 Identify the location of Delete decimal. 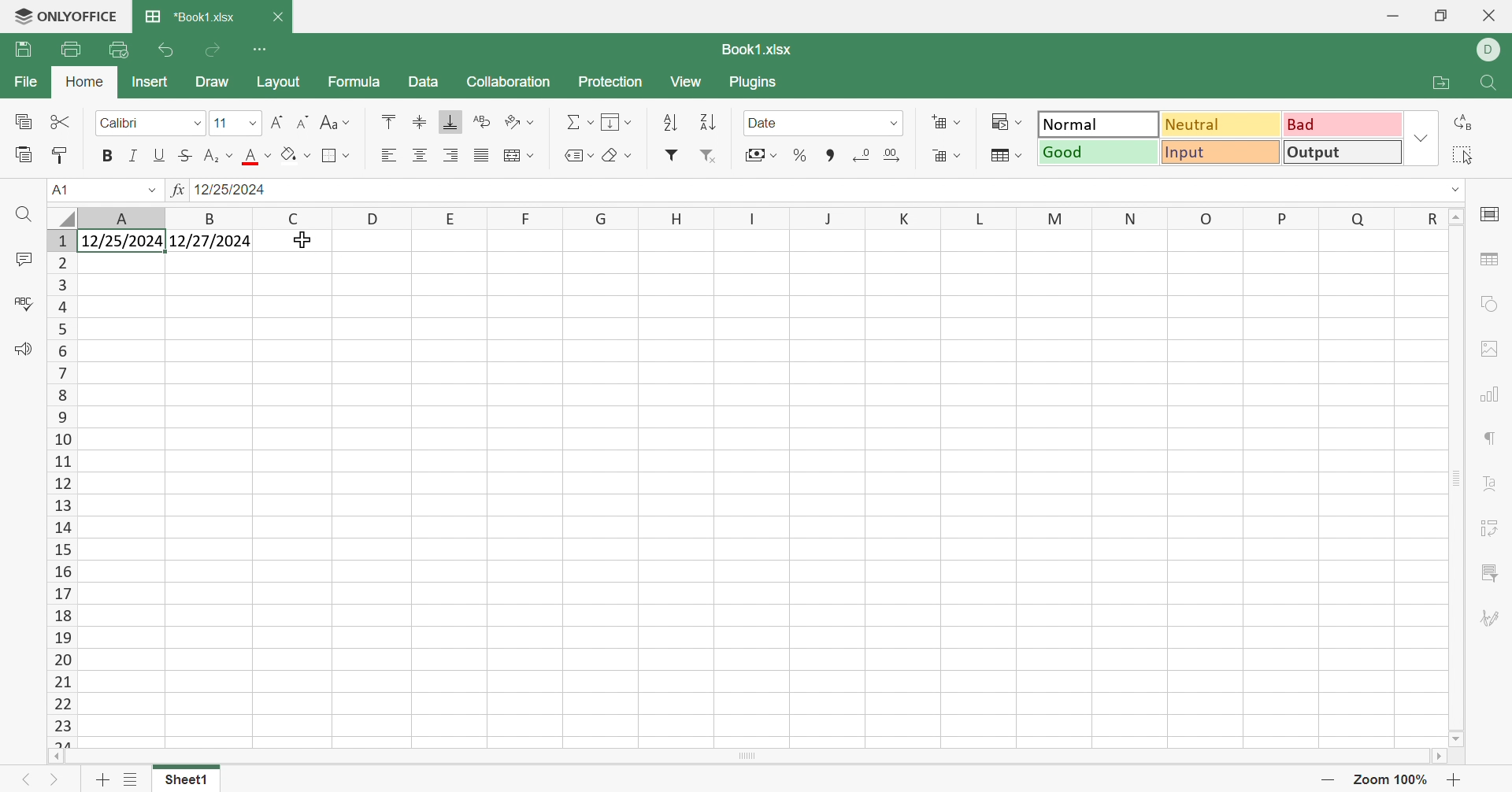
(862, 153).